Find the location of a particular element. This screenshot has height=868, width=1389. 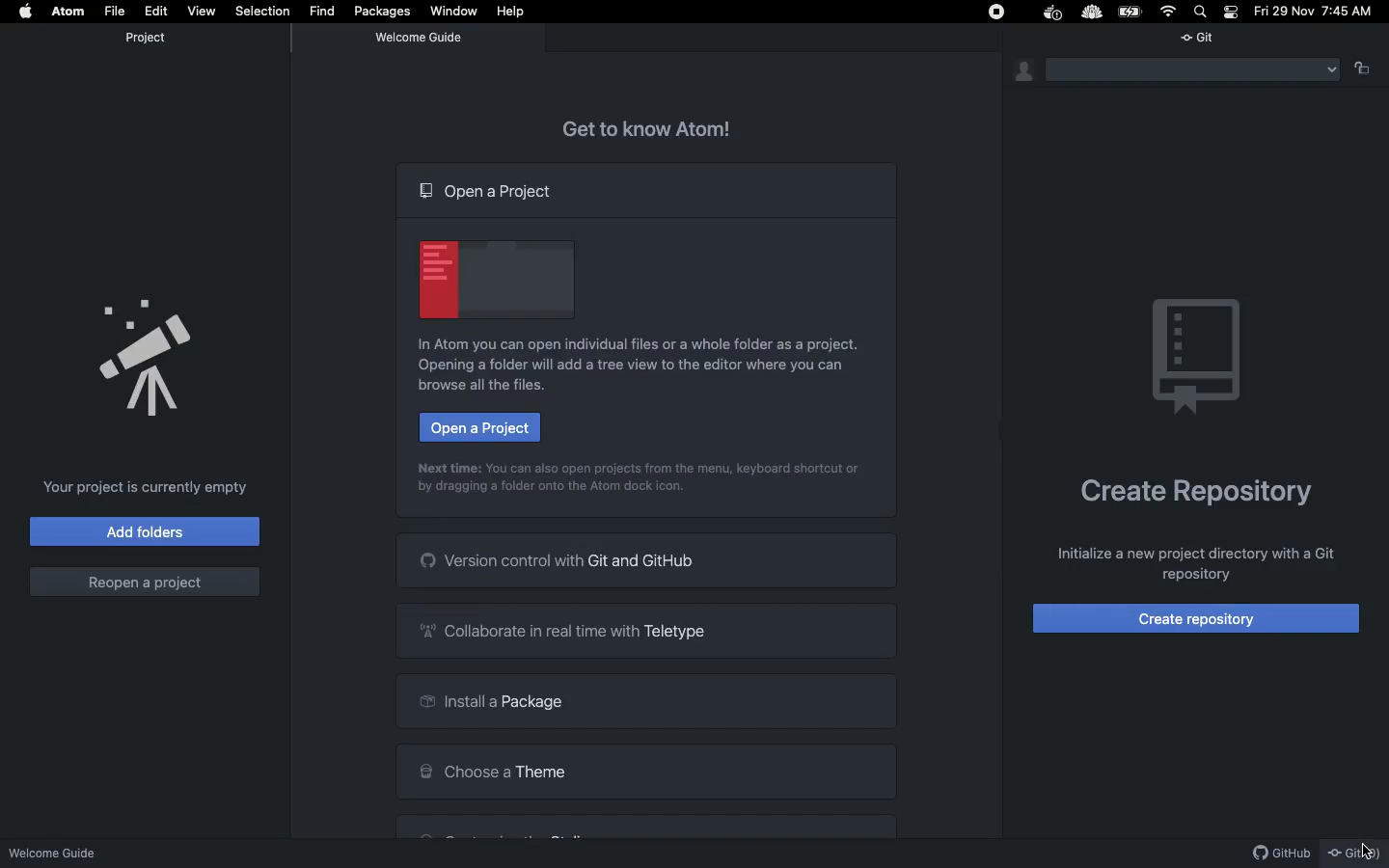

Notification is located at coordinates (1232, 12).